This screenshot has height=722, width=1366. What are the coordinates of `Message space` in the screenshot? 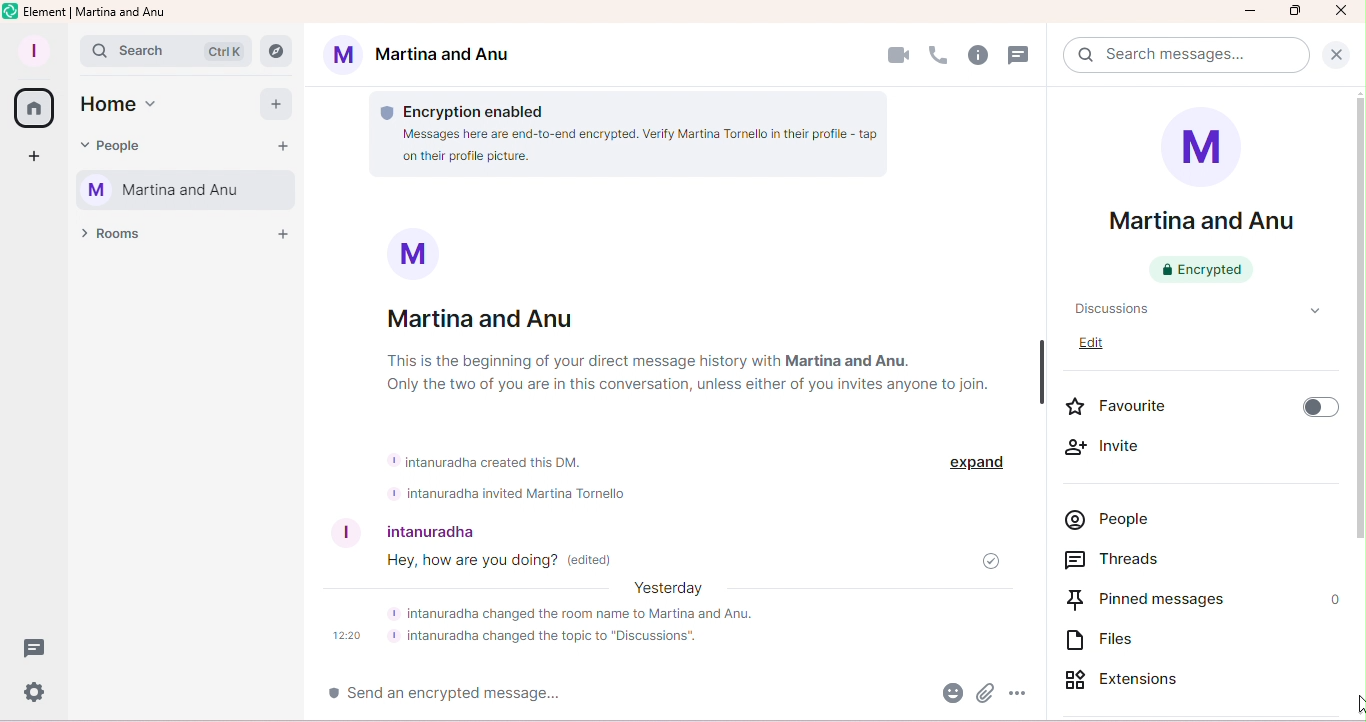 It's located at (688, 564).